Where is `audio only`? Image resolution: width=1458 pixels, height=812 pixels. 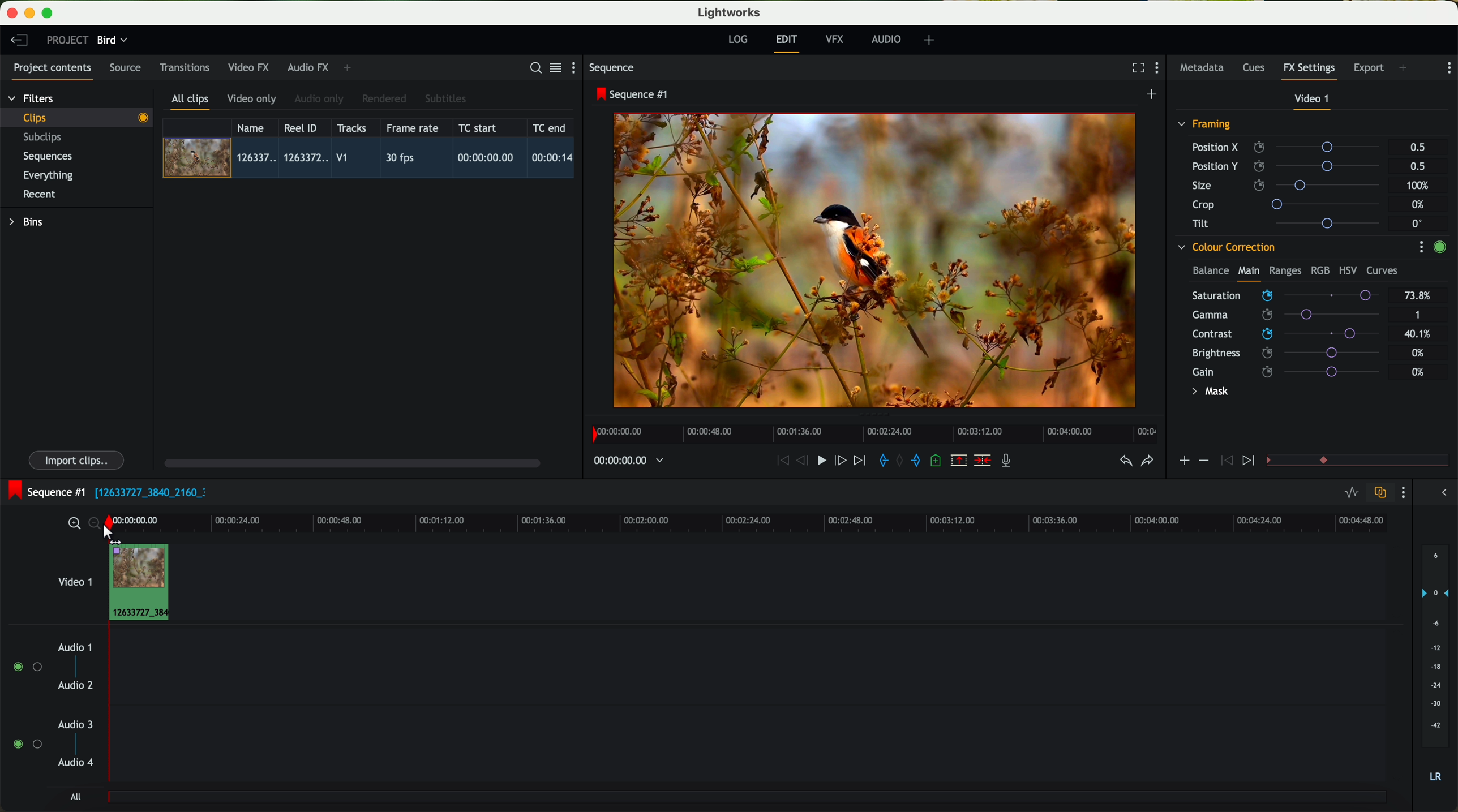 audio only is located at coordinates (320, 99).